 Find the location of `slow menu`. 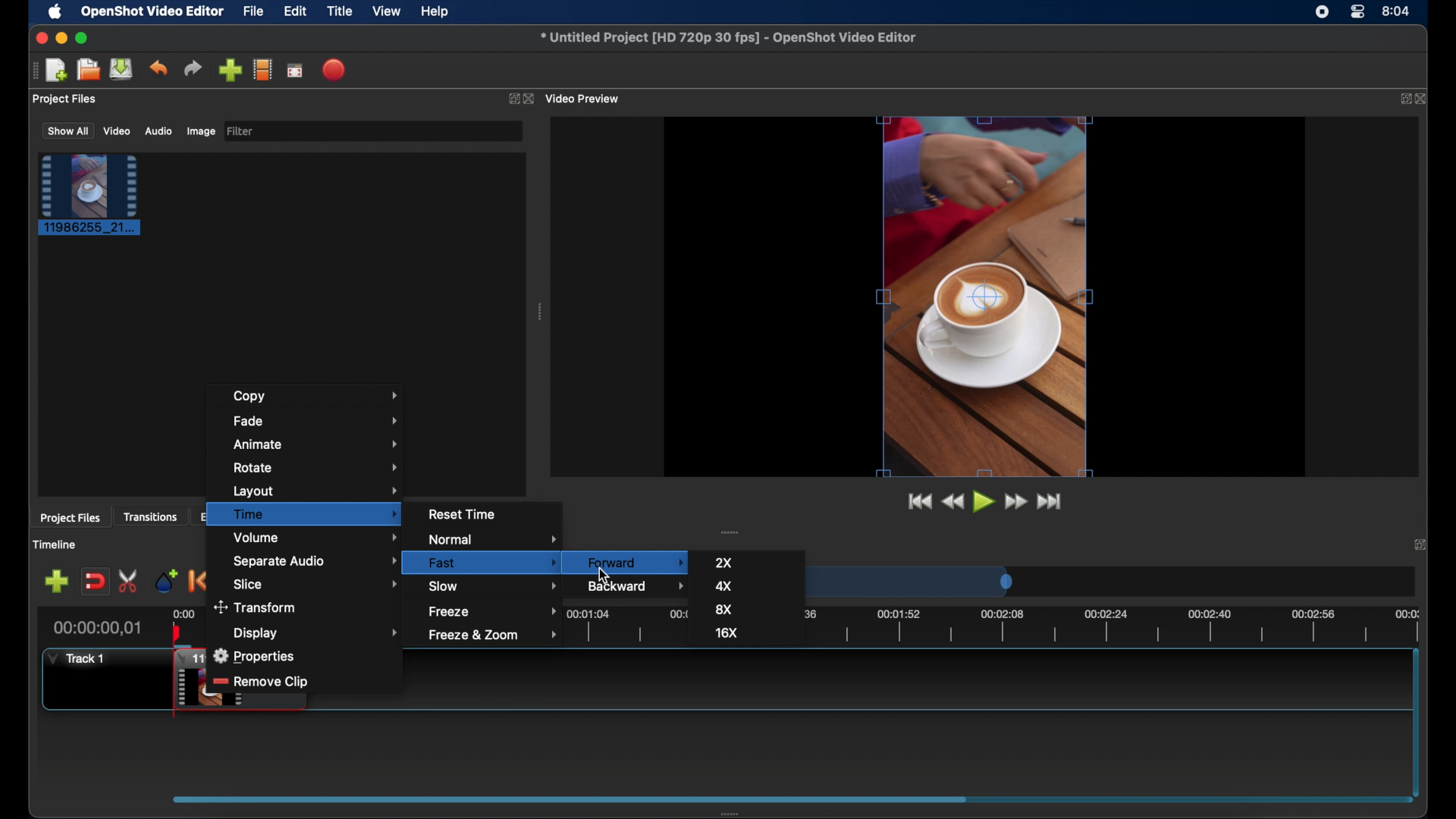

slow menu is located at coordinates (493, 585).